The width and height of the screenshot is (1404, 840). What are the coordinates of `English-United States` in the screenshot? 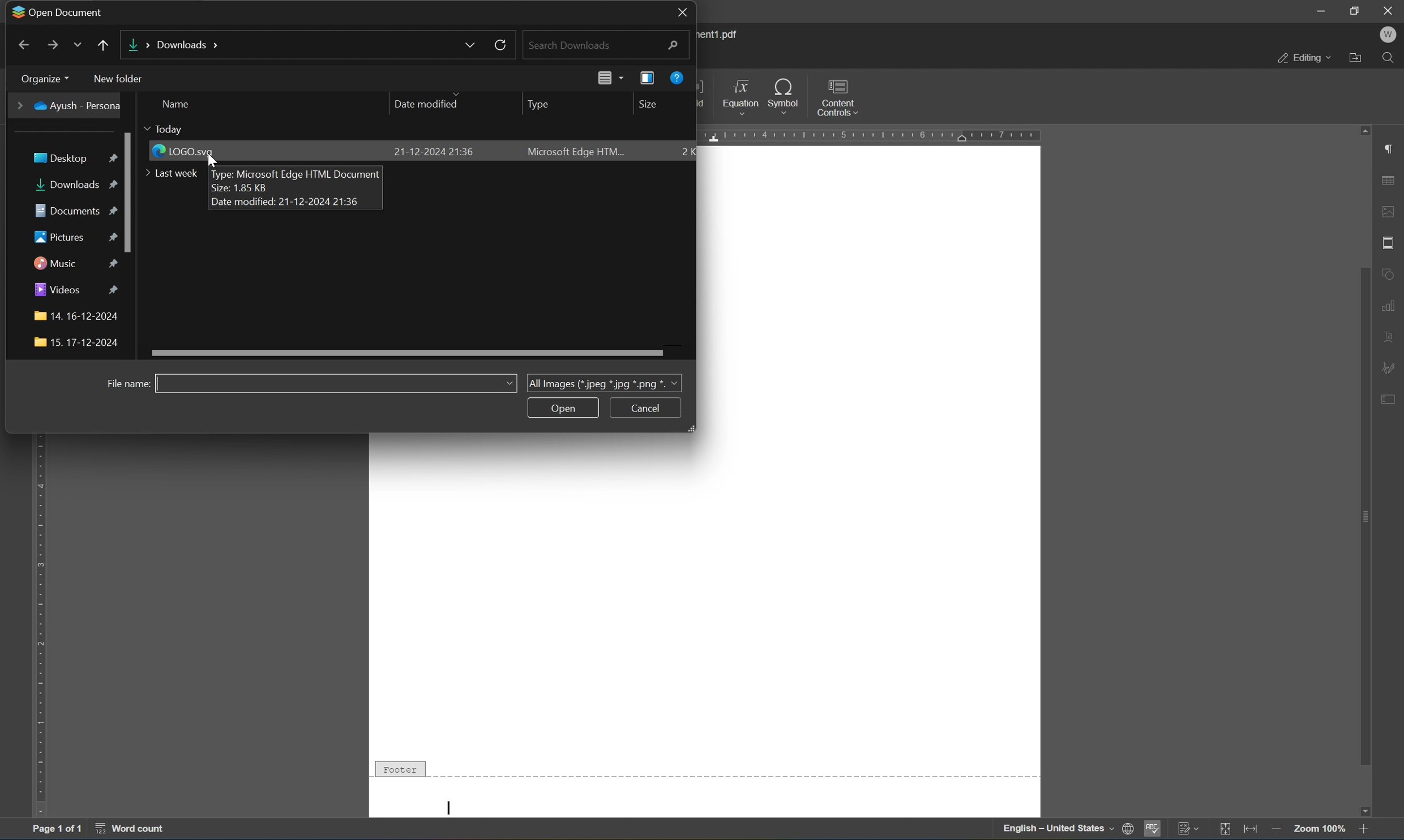 It's located at (1066, 830).